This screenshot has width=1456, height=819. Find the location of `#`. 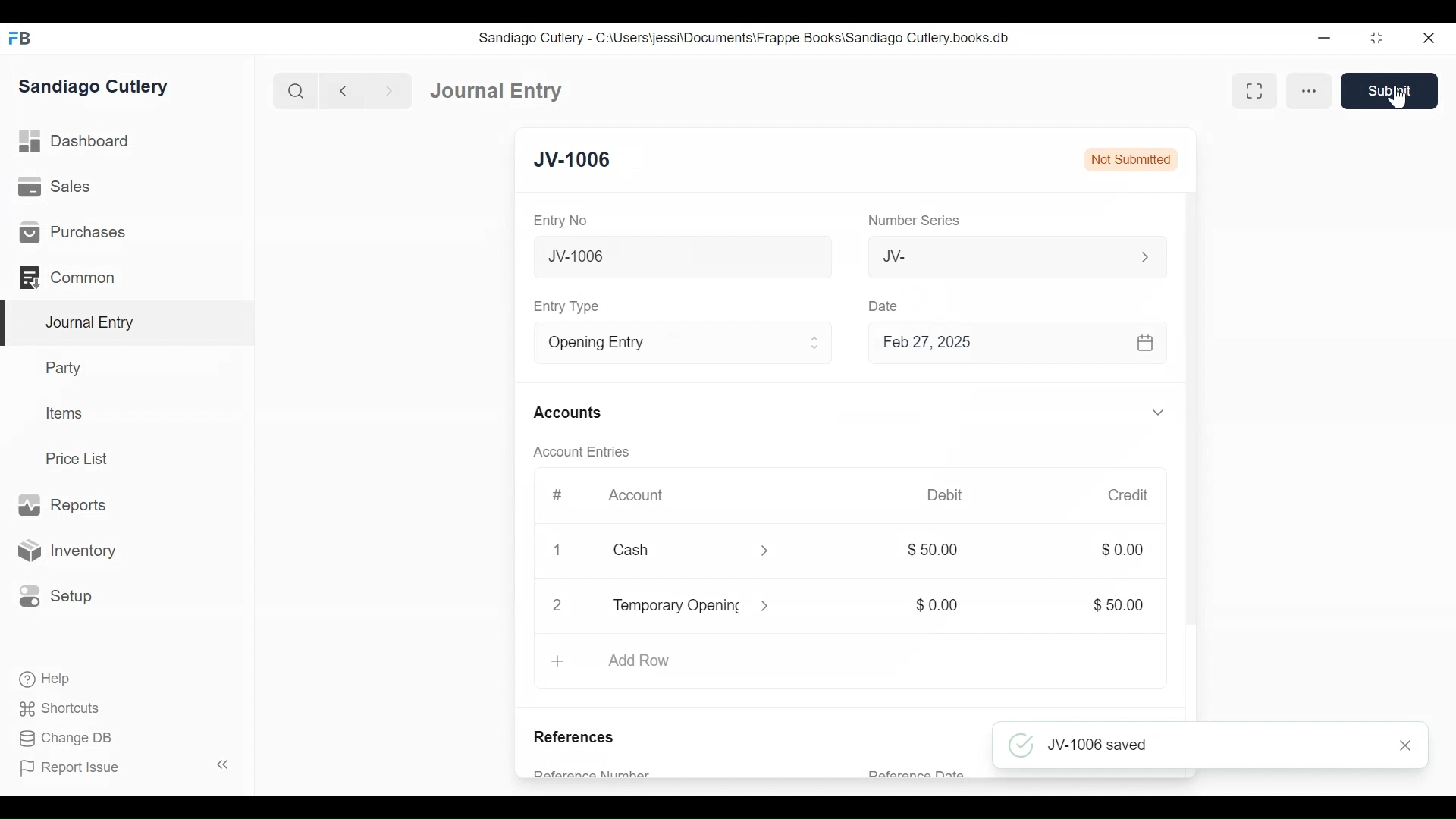

# is located at coordinates (558, 494).